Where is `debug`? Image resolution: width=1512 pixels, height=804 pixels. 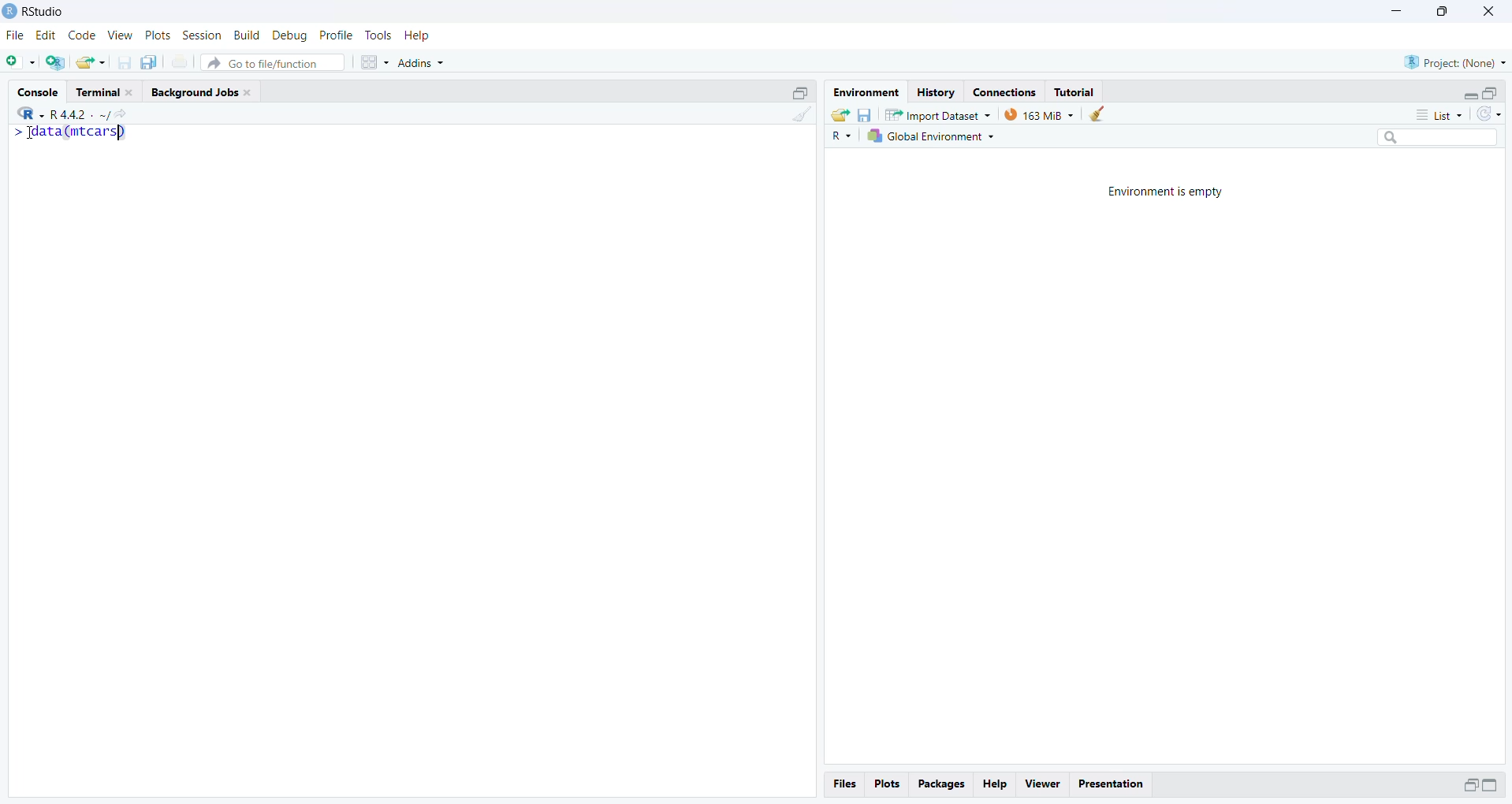 debug is located at coordinates (289, 35).